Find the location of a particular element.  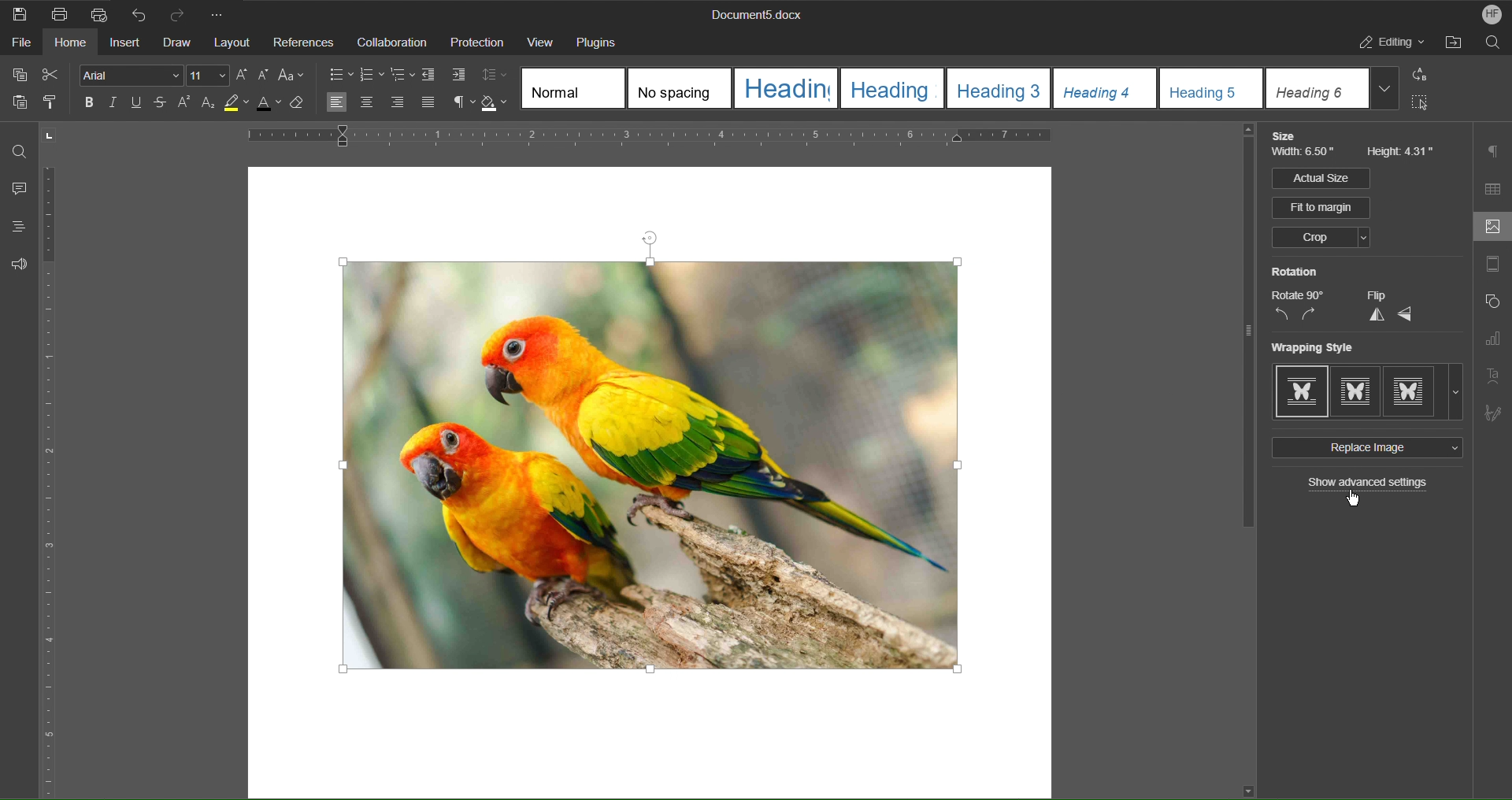

Protection is located at coordinates (477, 43).